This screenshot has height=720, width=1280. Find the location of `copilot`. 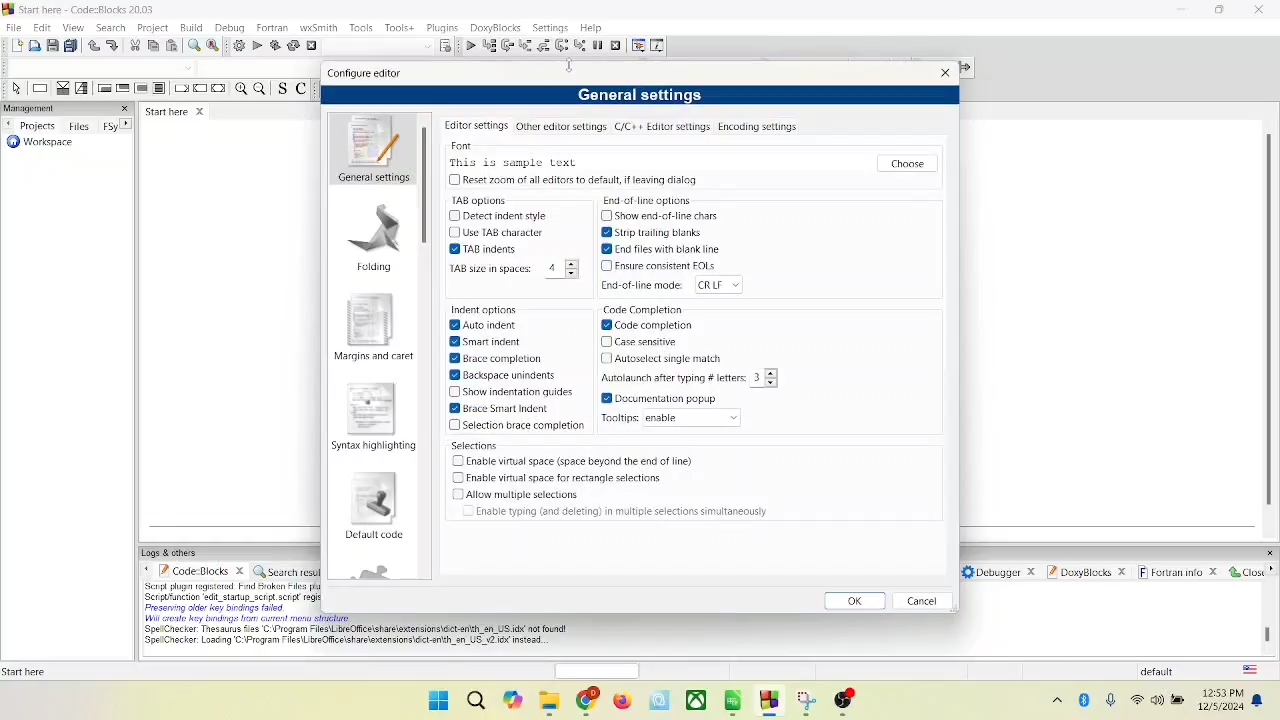

copilot is located at coordinates (514, 702).